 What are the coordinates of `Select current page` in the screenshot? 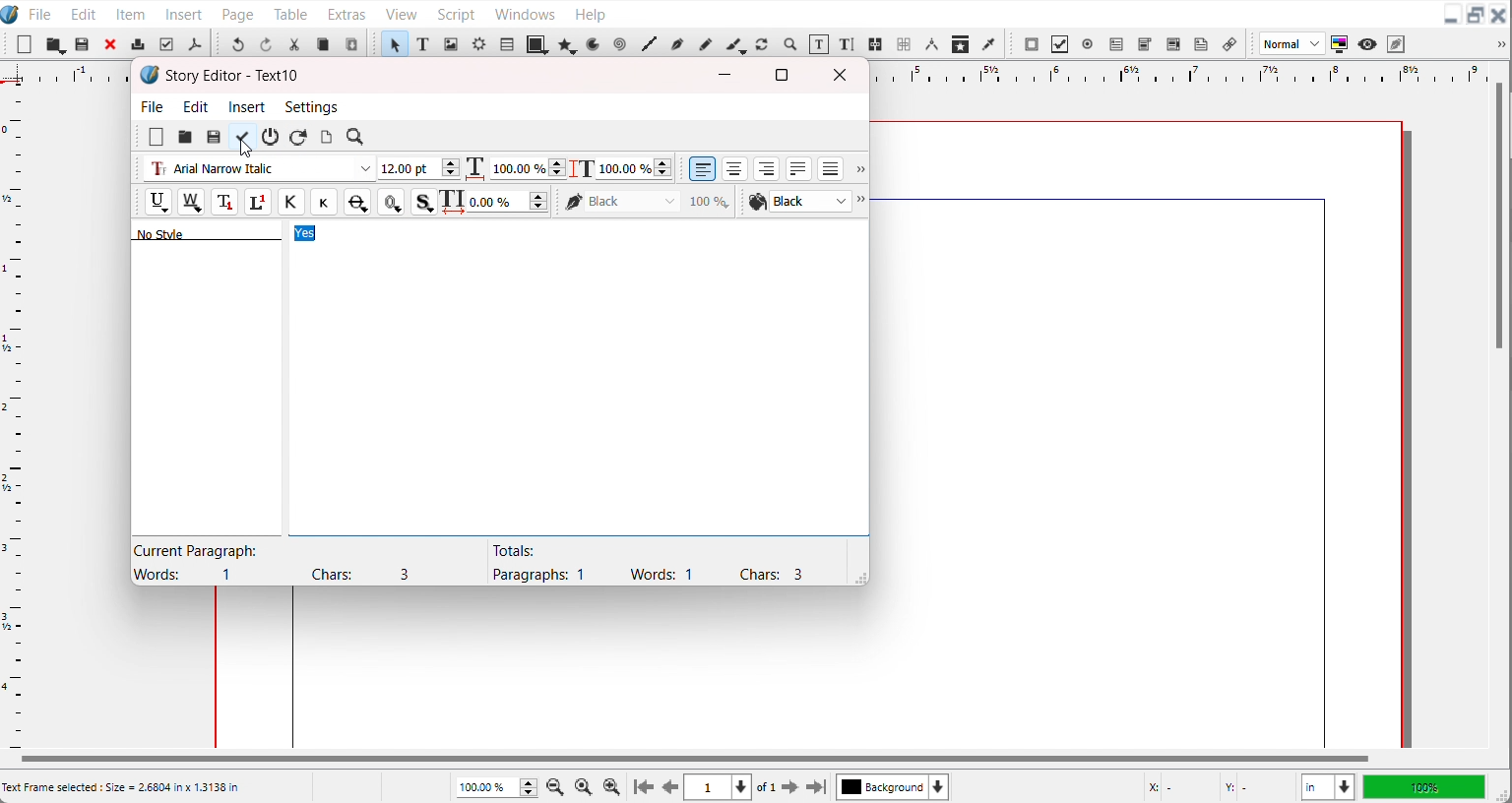 It's located at (718, 787).